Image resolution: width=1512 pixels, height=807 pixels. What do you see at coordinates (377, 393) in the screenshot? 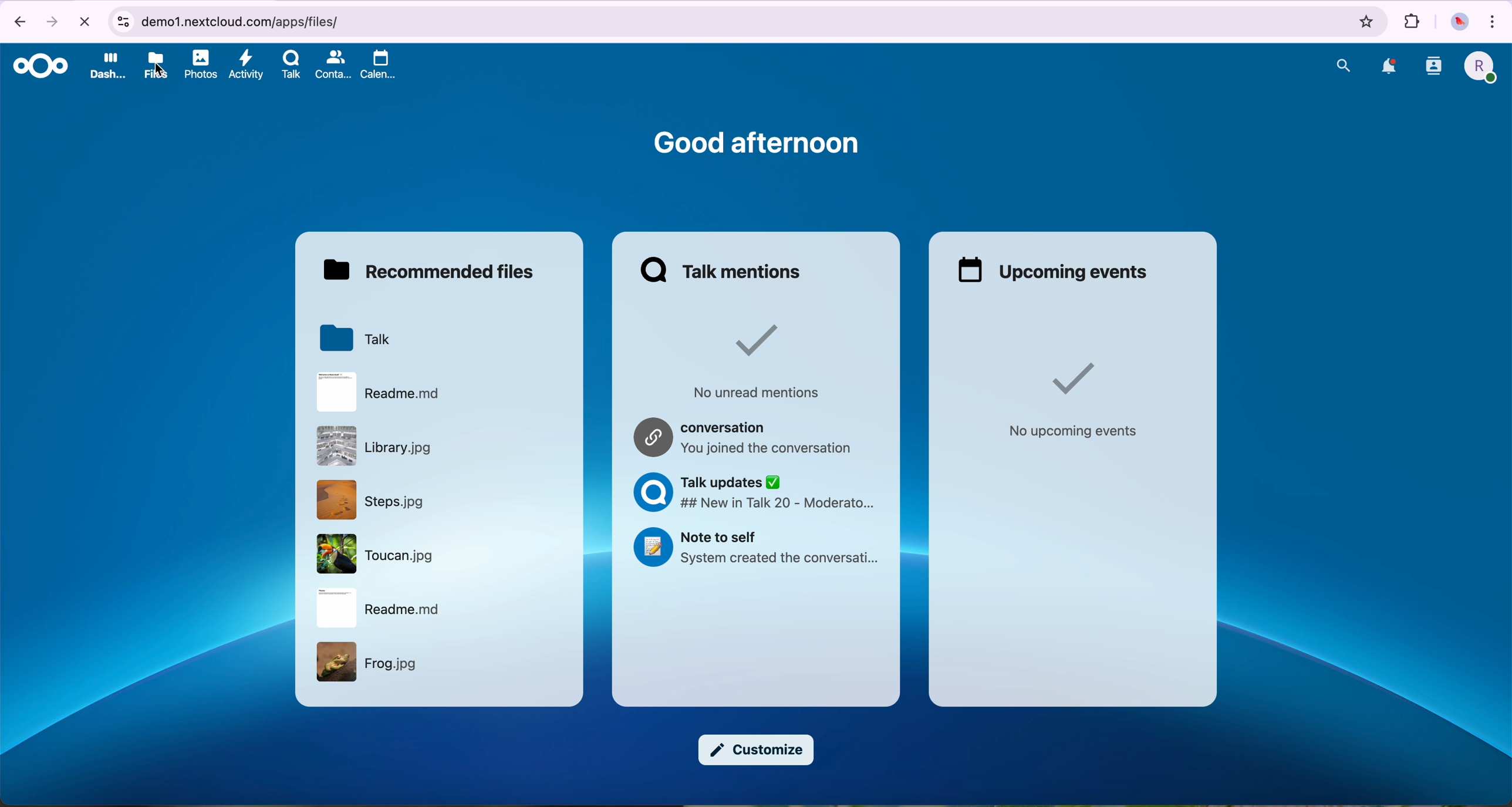
I see `readme.md` at bounding box center [377, 393].